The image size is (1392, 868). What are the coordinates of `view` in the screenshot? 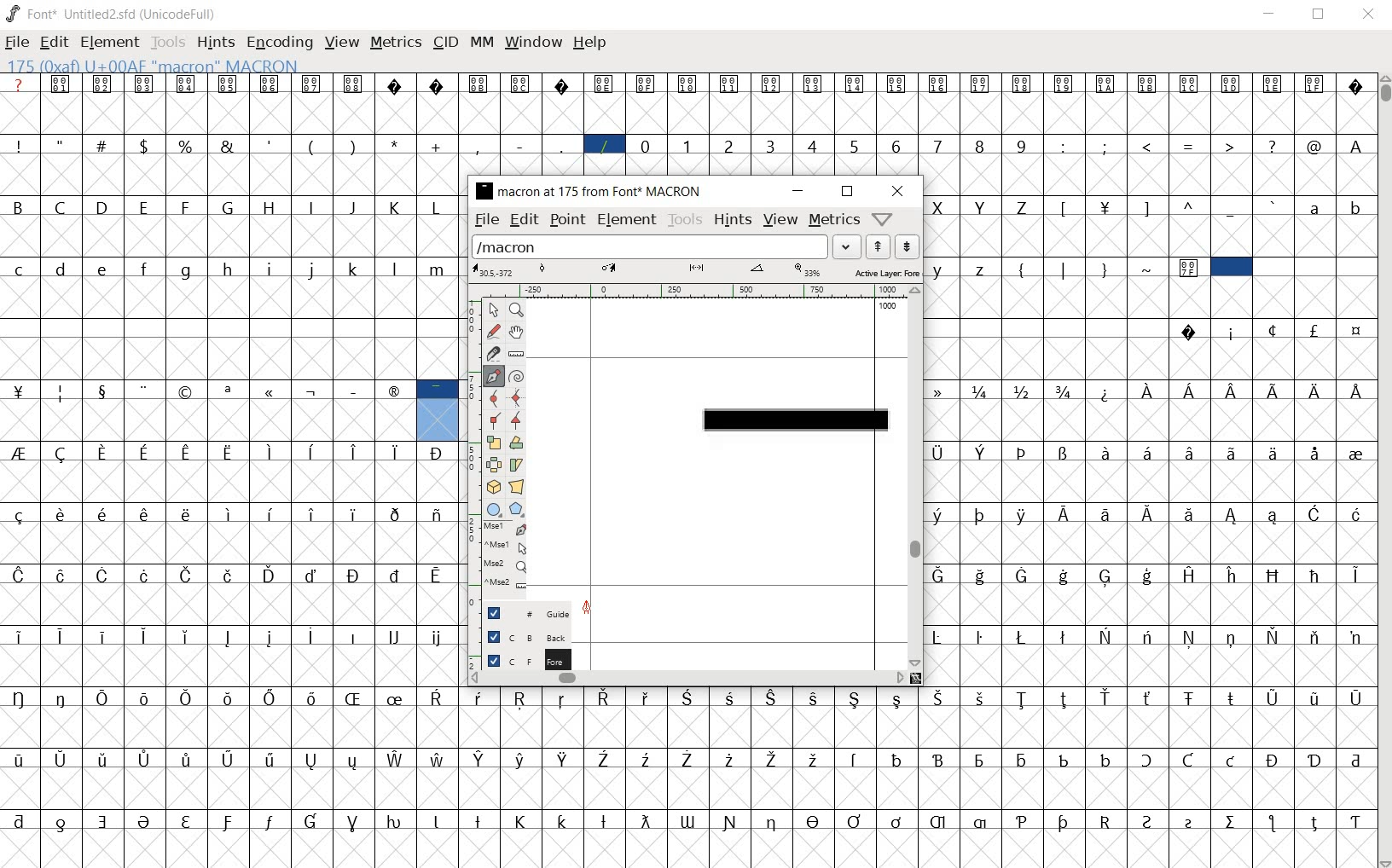 It's located at (342, 42).